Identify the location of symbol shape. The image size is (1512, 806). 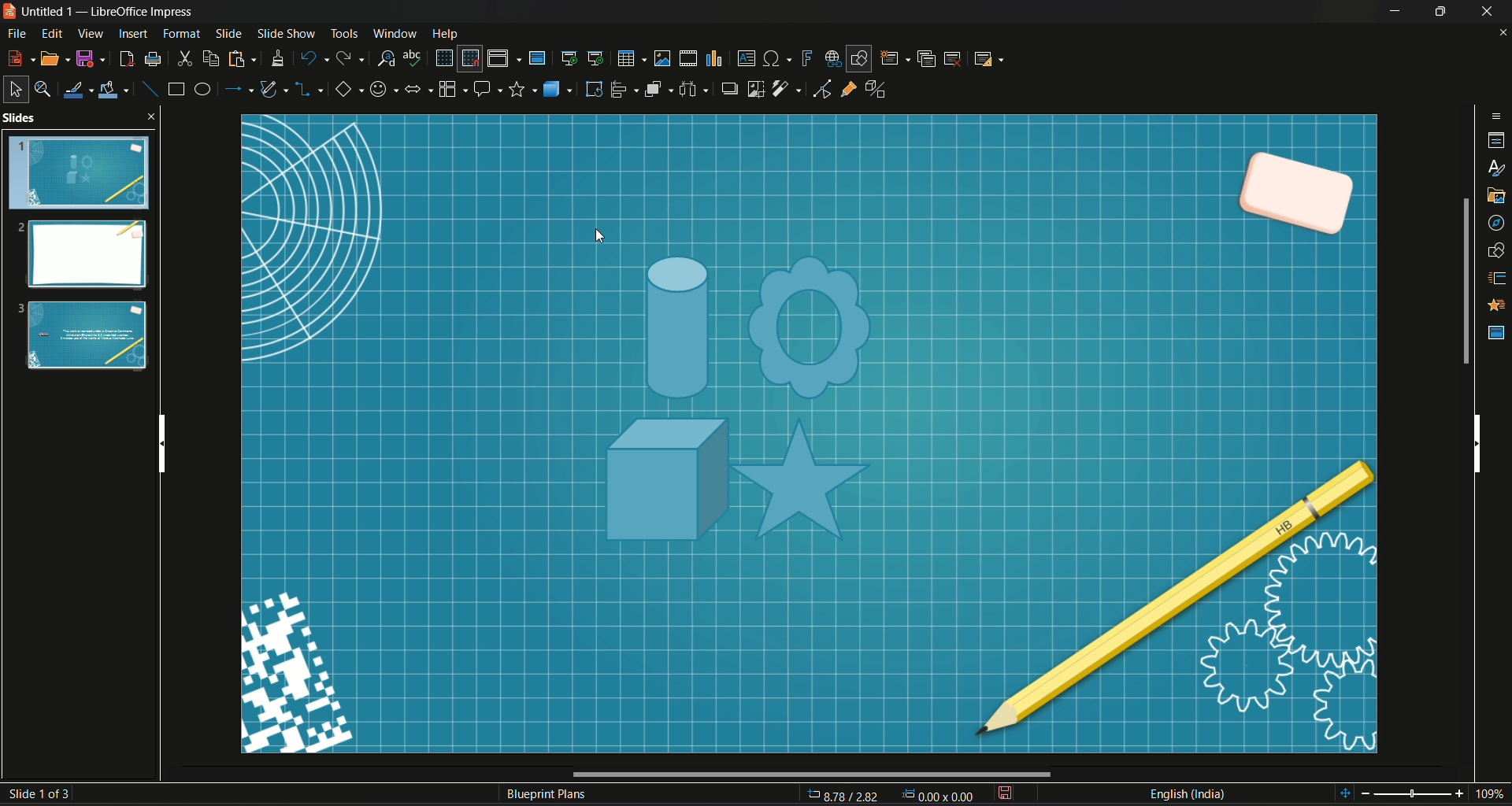
(382, 91).